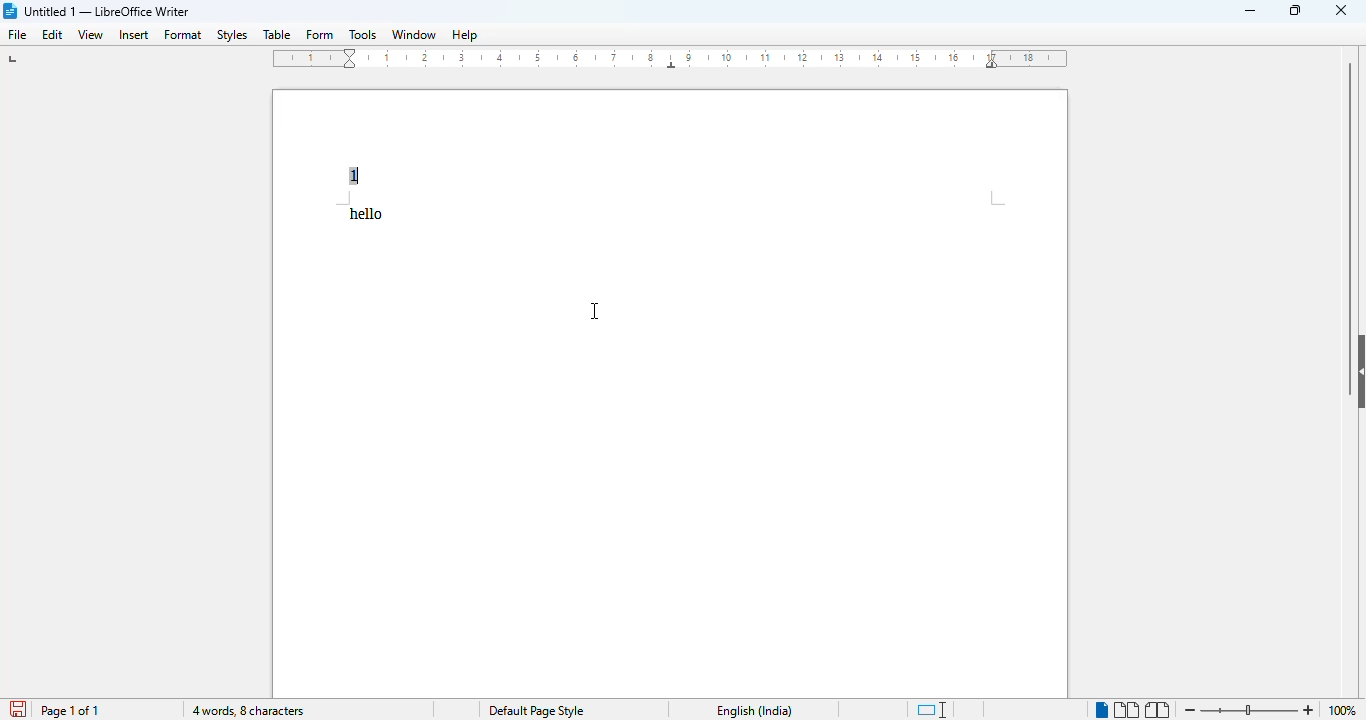 This screenshot has height=720, width=1366. What do you see at coordinates (1311, 711) in the screenshot?
I see `zoom in` at bounding box center [1311, 711].